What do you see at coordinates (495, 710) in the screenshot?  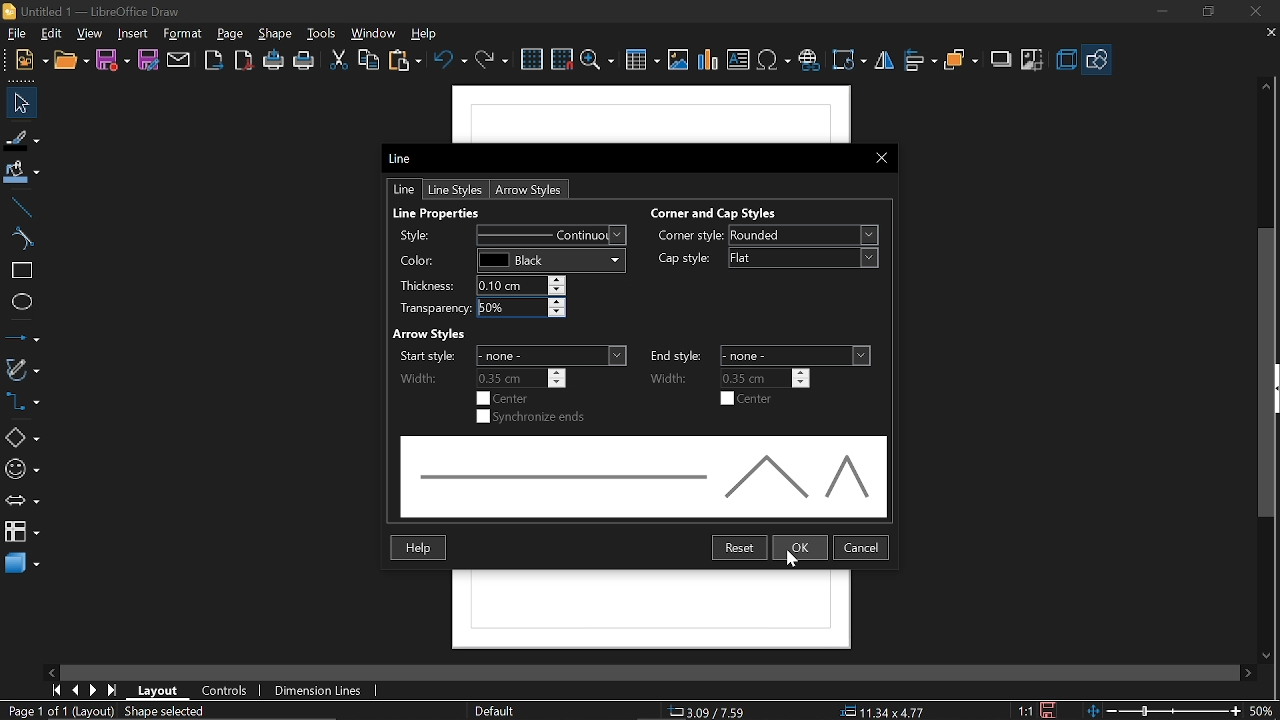 I see `Page style (Default)` at bounding box center [495, 710].